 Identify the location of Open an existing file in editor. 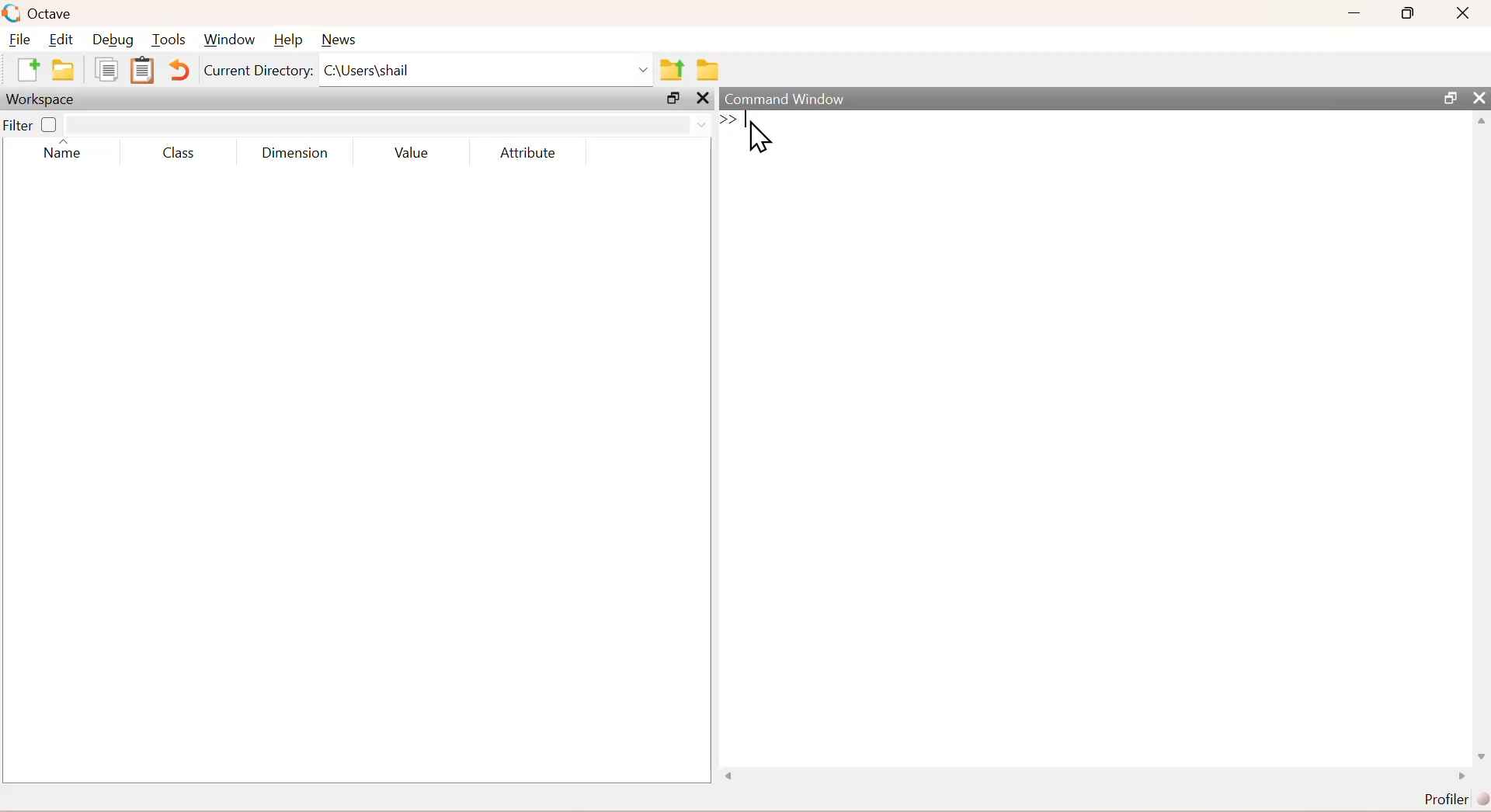
(65, 72).